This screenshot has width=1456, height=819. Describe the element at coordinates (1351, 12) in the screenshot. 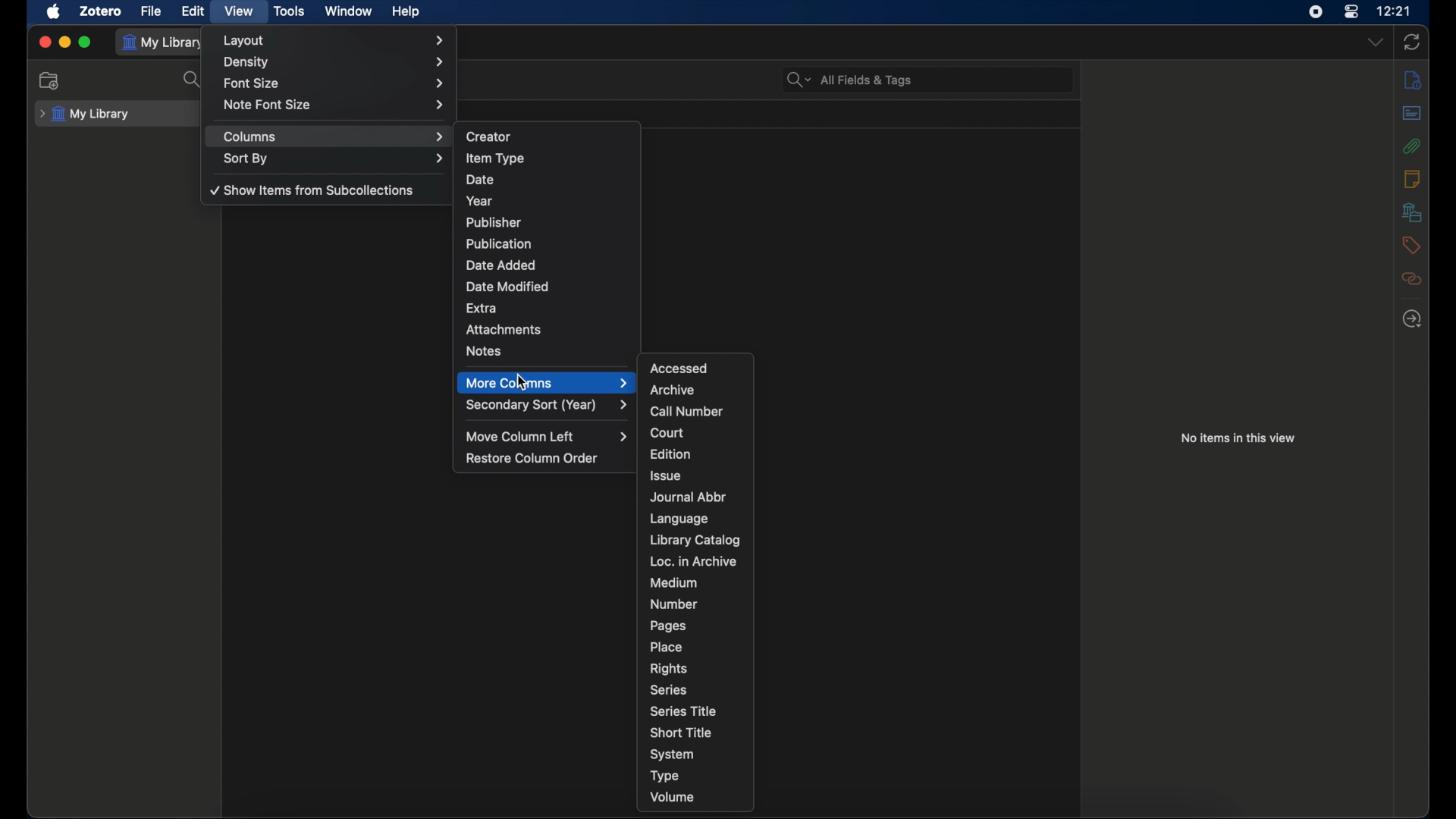

I see `control center` at that location.